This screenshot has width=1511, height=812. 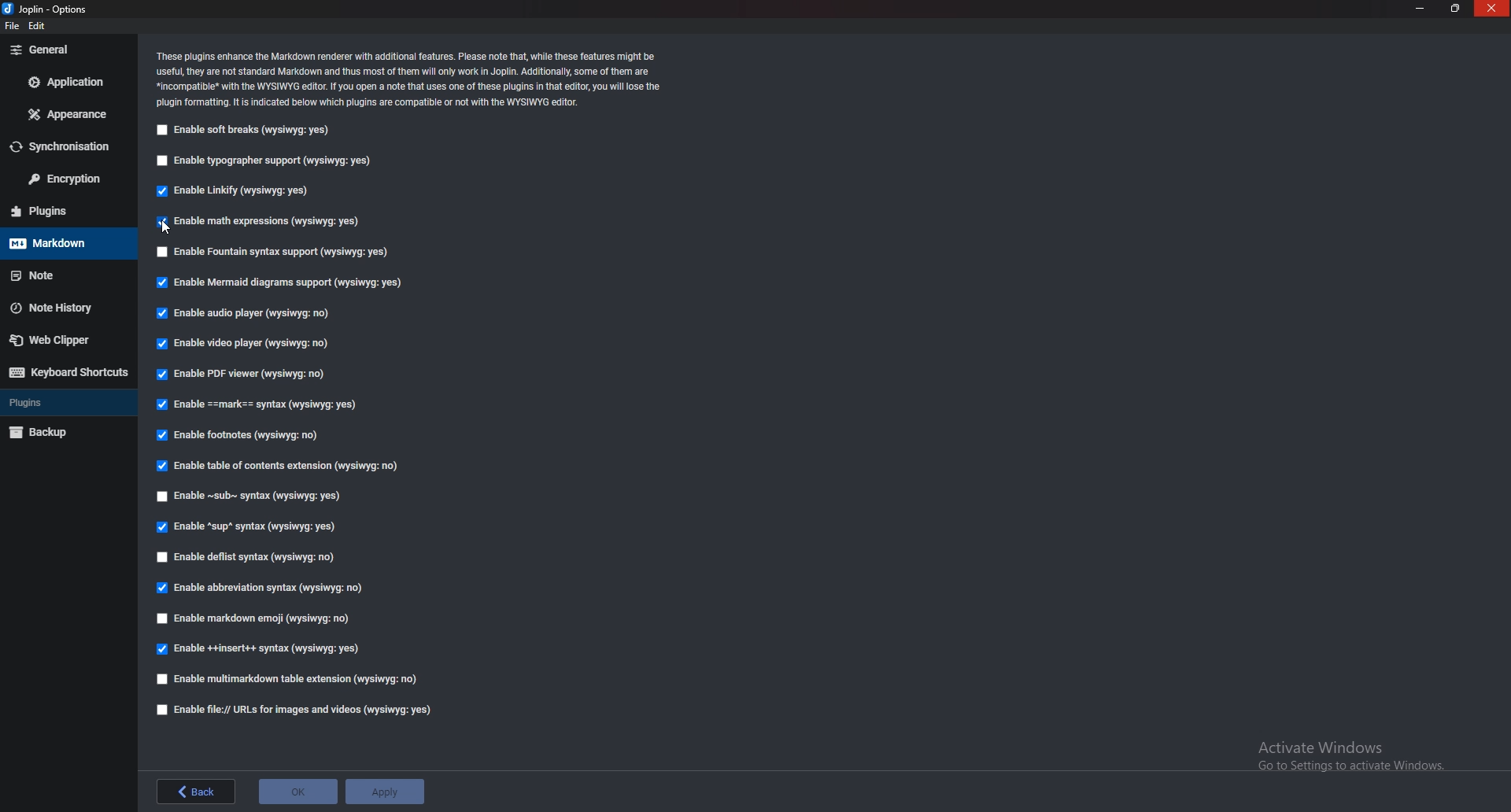 What do you see at coordinates (236, 190) in the screenshot?
I see `Enable linkify` at bounding box center [236, 190].